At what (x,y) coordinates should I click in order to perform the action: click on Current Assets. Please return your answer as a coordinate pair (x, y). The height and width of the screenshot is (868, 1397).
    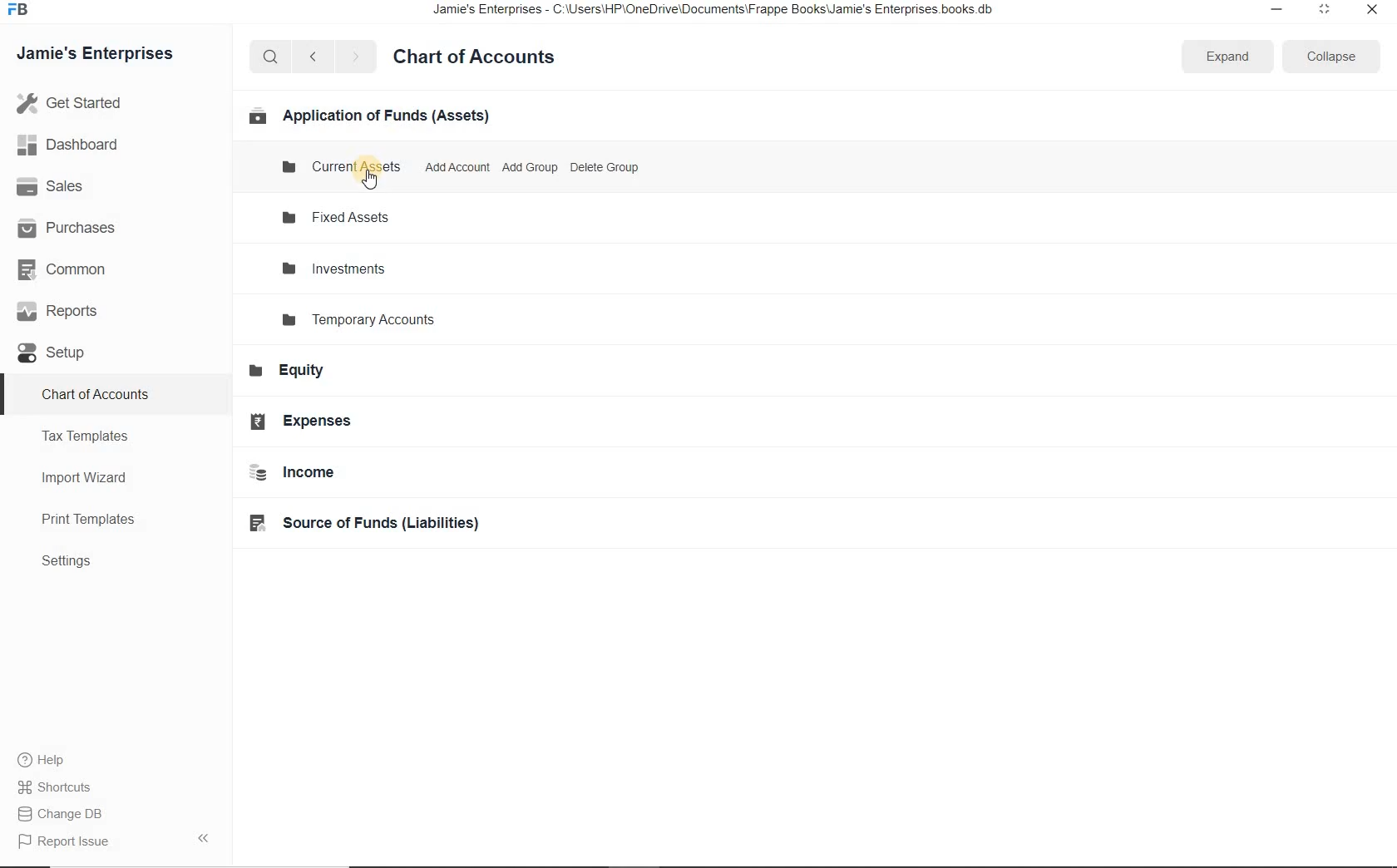
    Looking at the image, I should click on (341, 167).